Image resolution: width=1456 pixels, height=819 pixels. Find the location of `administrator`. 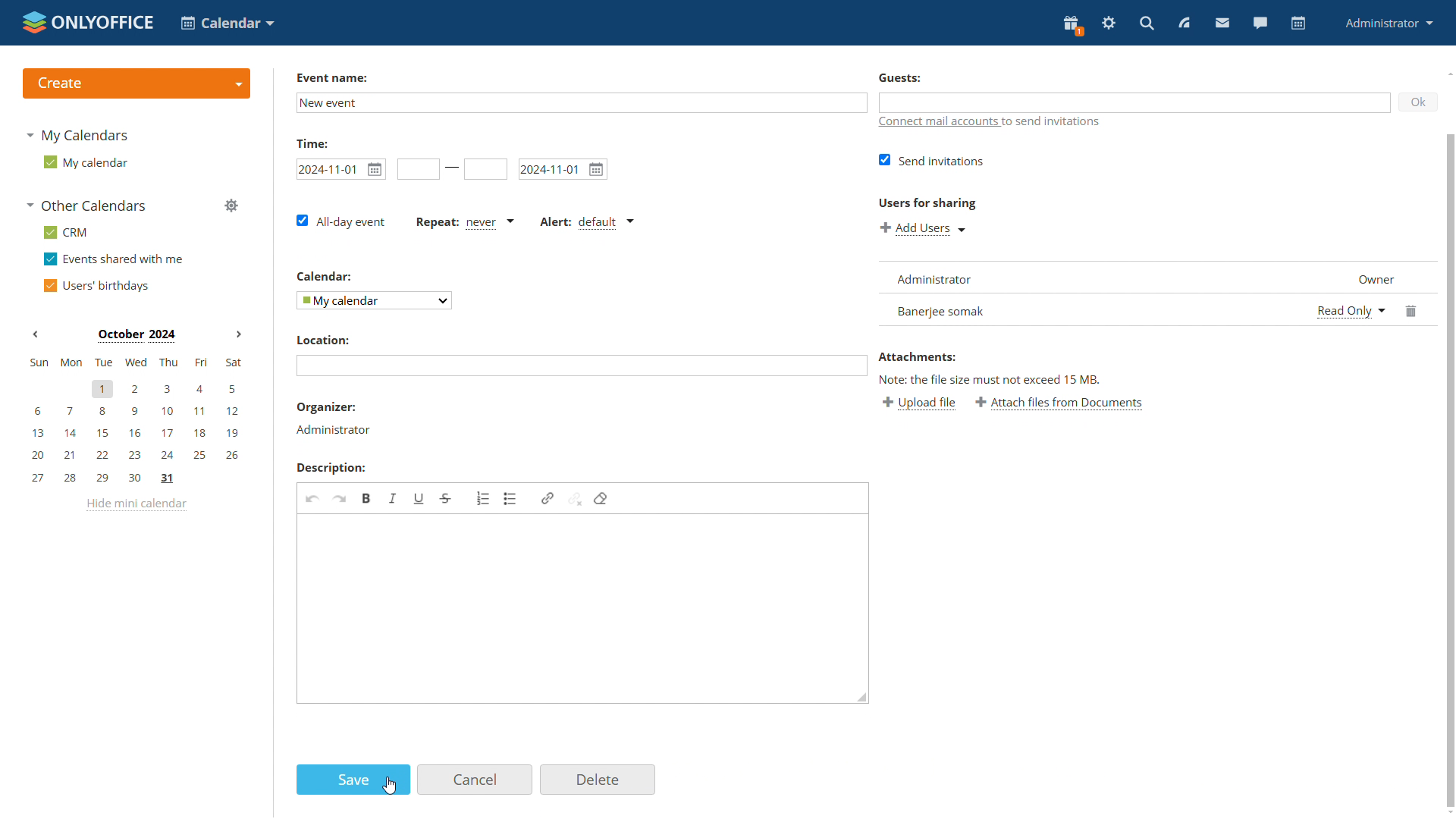

administrator is located at coordinates (1389, 23).